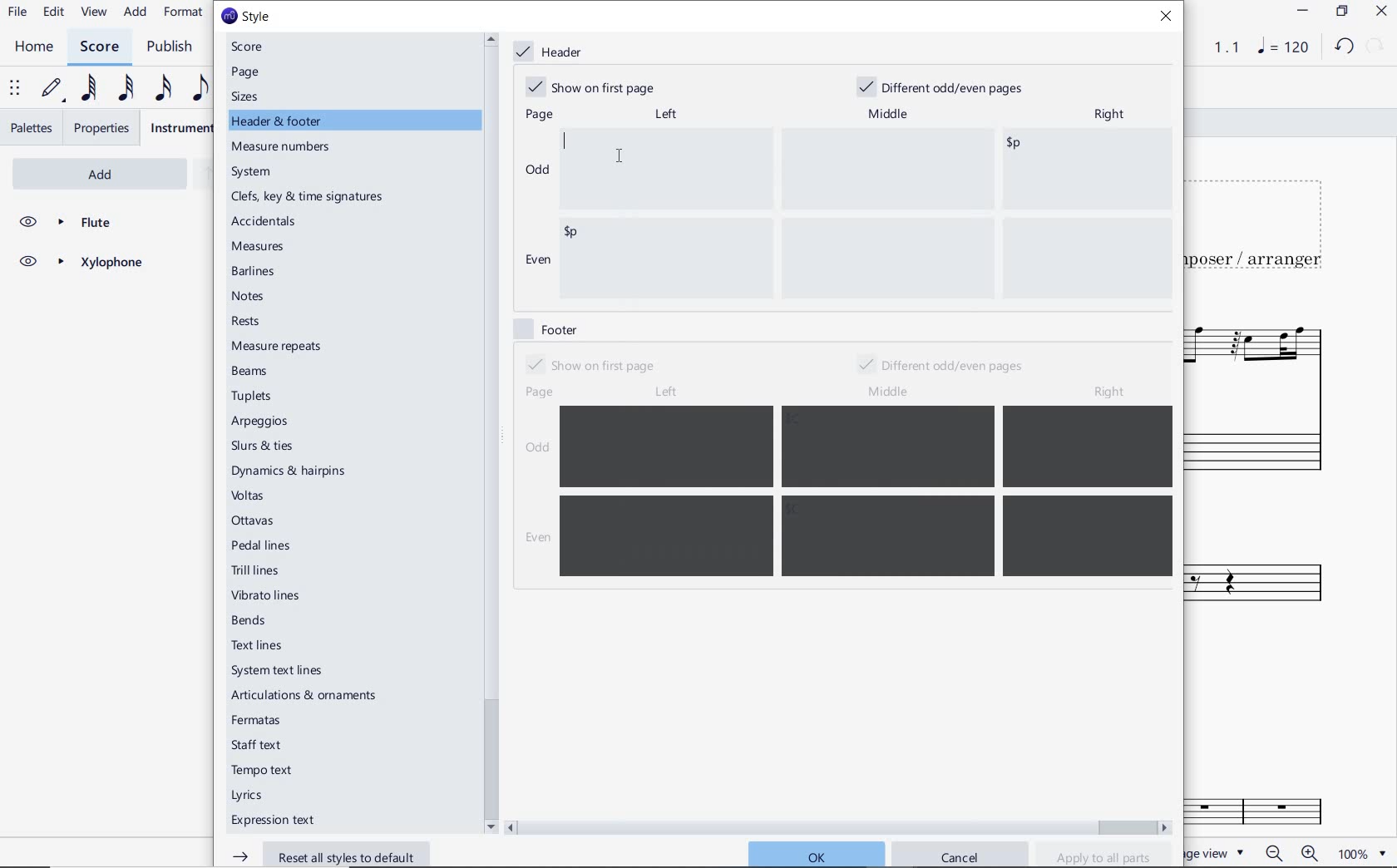  Describe the element at coordinates (541, 392) in the screenshot. I see `page` at that location.